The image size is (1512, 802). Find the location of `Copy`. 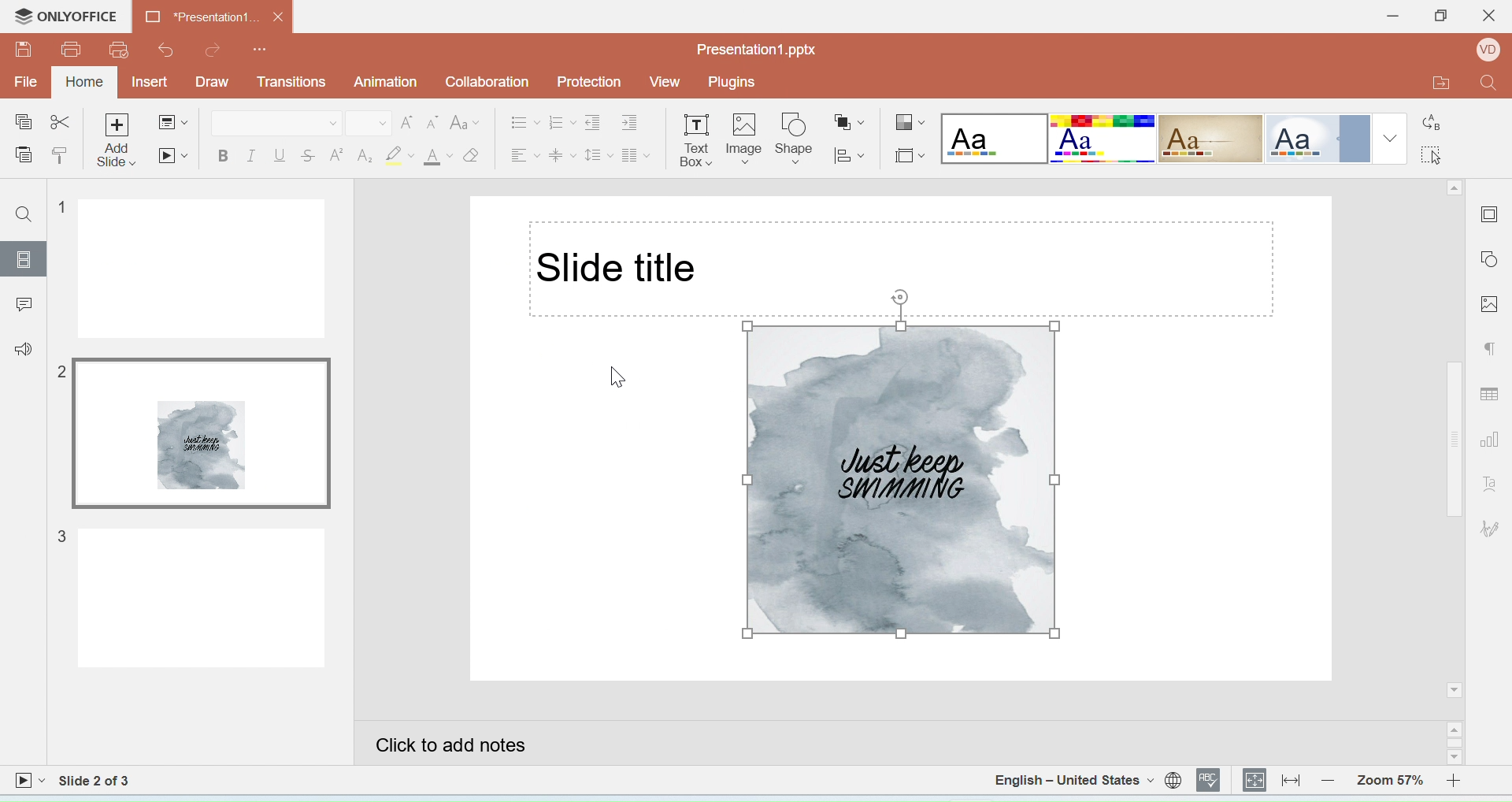

Copy is located at coordinates (22, 123).